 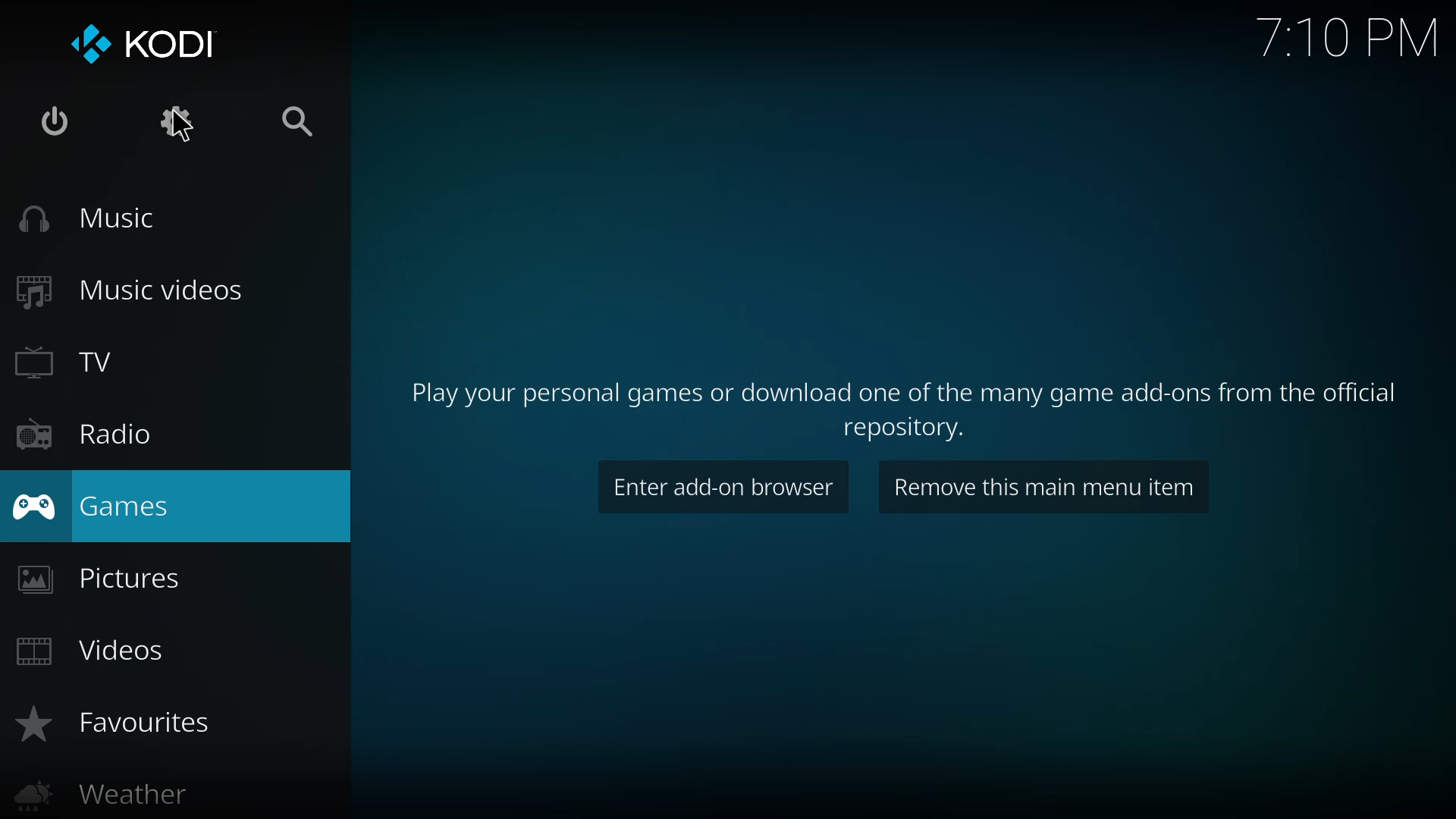 What do you see at coordinates (85, 220) in the screenshot?
I see `music` at bounding box center [85, 220].